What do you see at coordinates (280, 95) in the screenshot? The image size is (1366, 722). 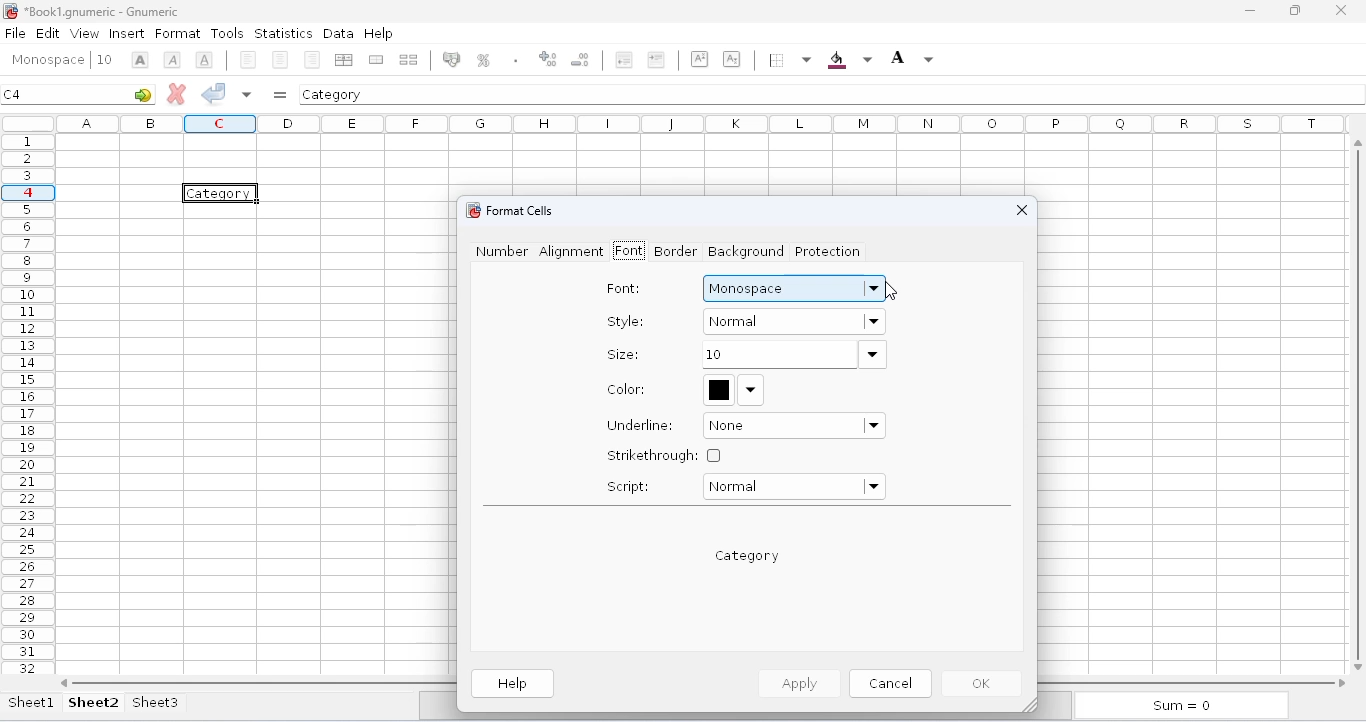 I see `enter formula` at bounding box center [280, 95].